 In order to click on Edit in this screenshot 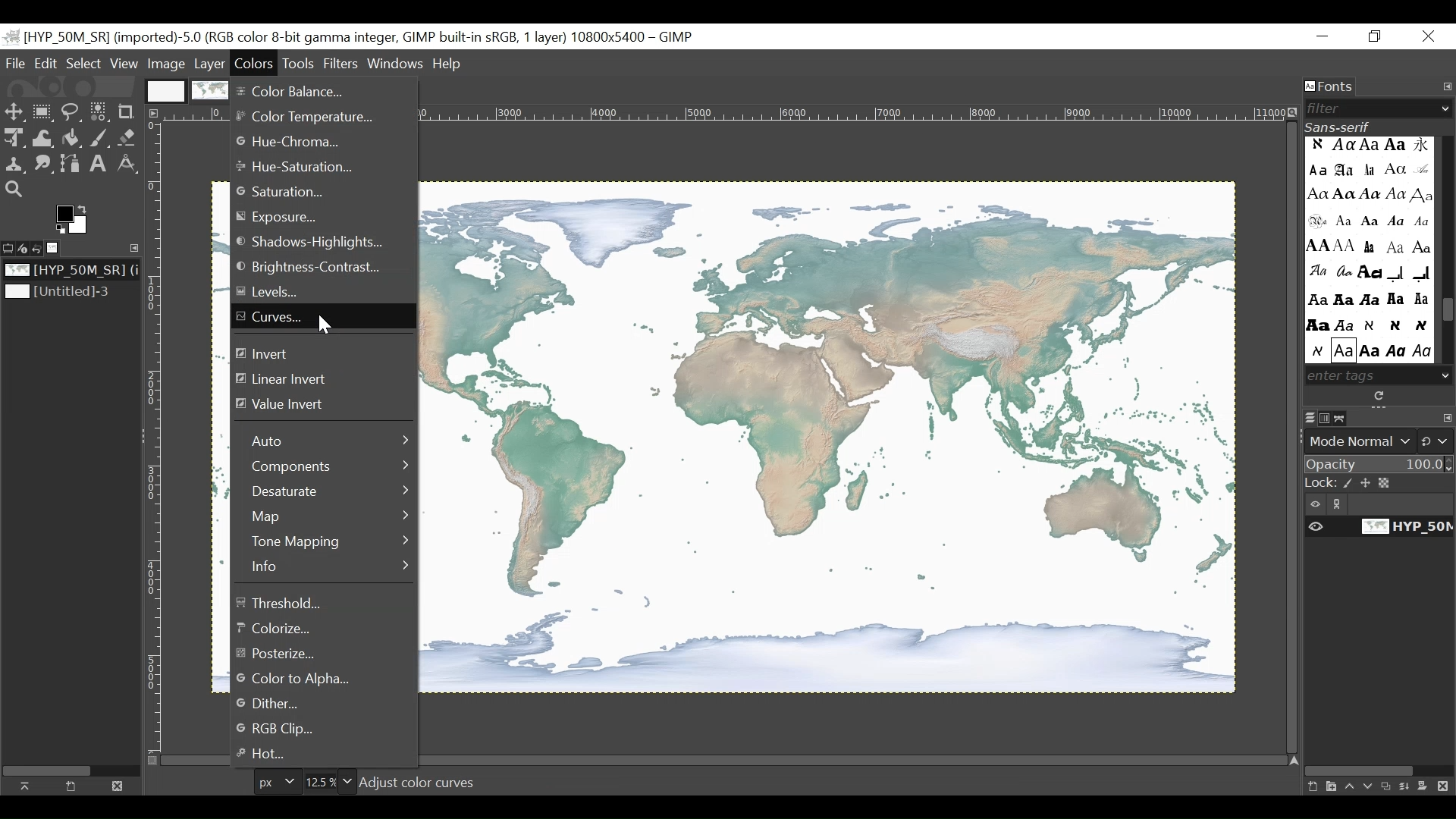, I will do `click(47, 64)`.